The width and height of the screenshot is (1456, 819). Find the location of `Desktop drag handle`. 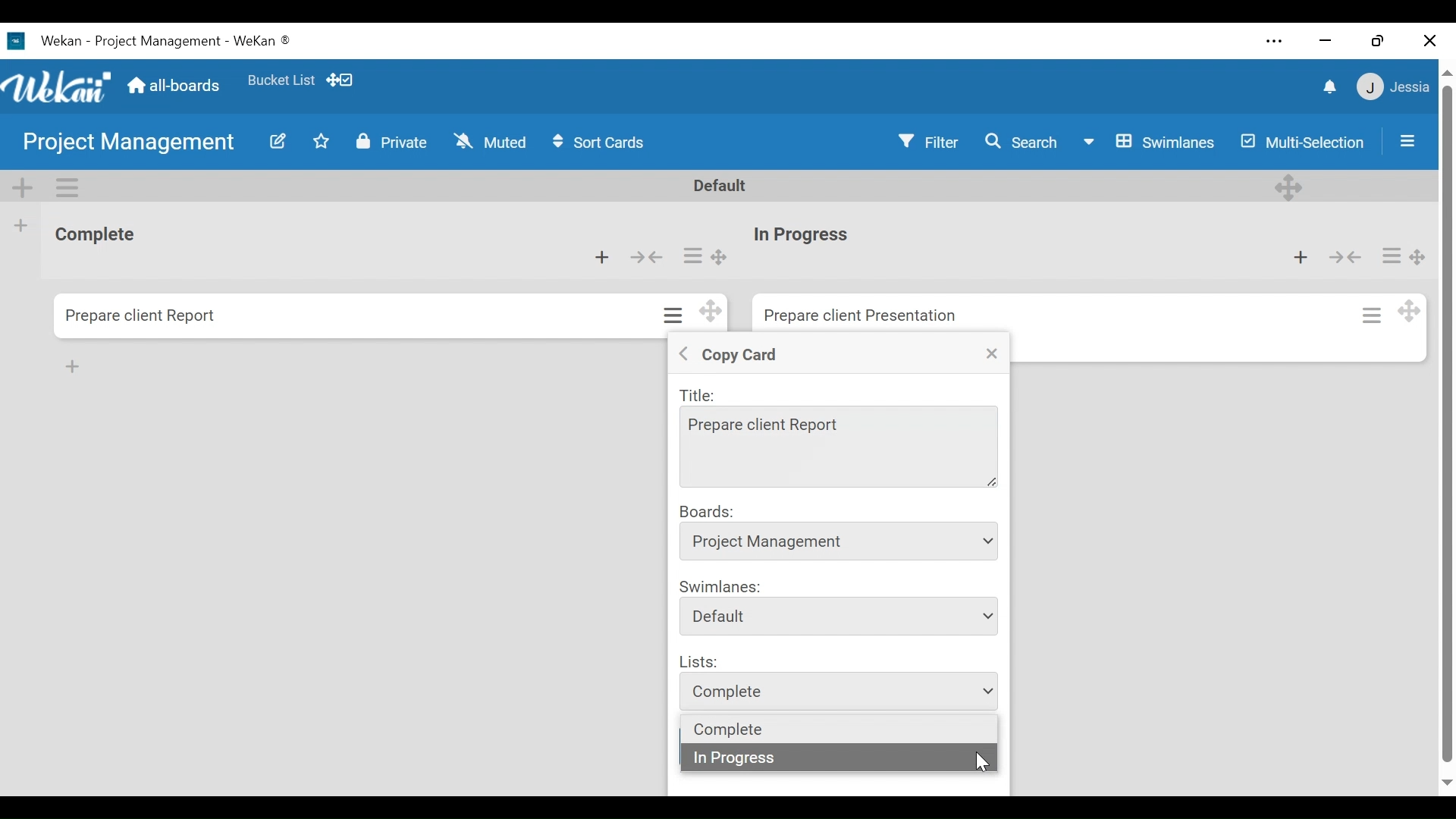

Desktop drag handle is located at coordinates (1417, 309).